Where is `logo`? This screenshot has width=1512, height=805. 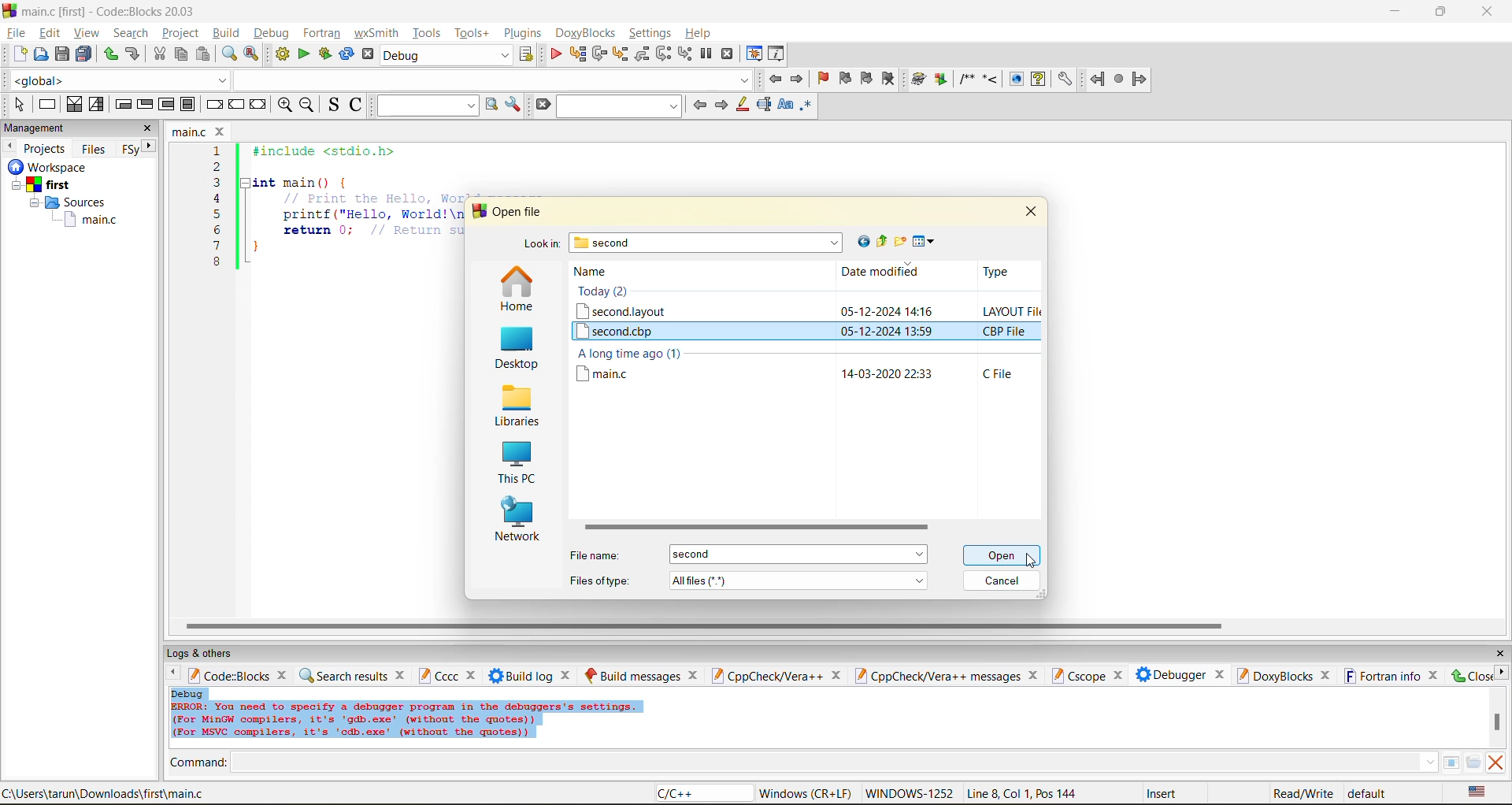 logo is located at coordinates (9, 9).